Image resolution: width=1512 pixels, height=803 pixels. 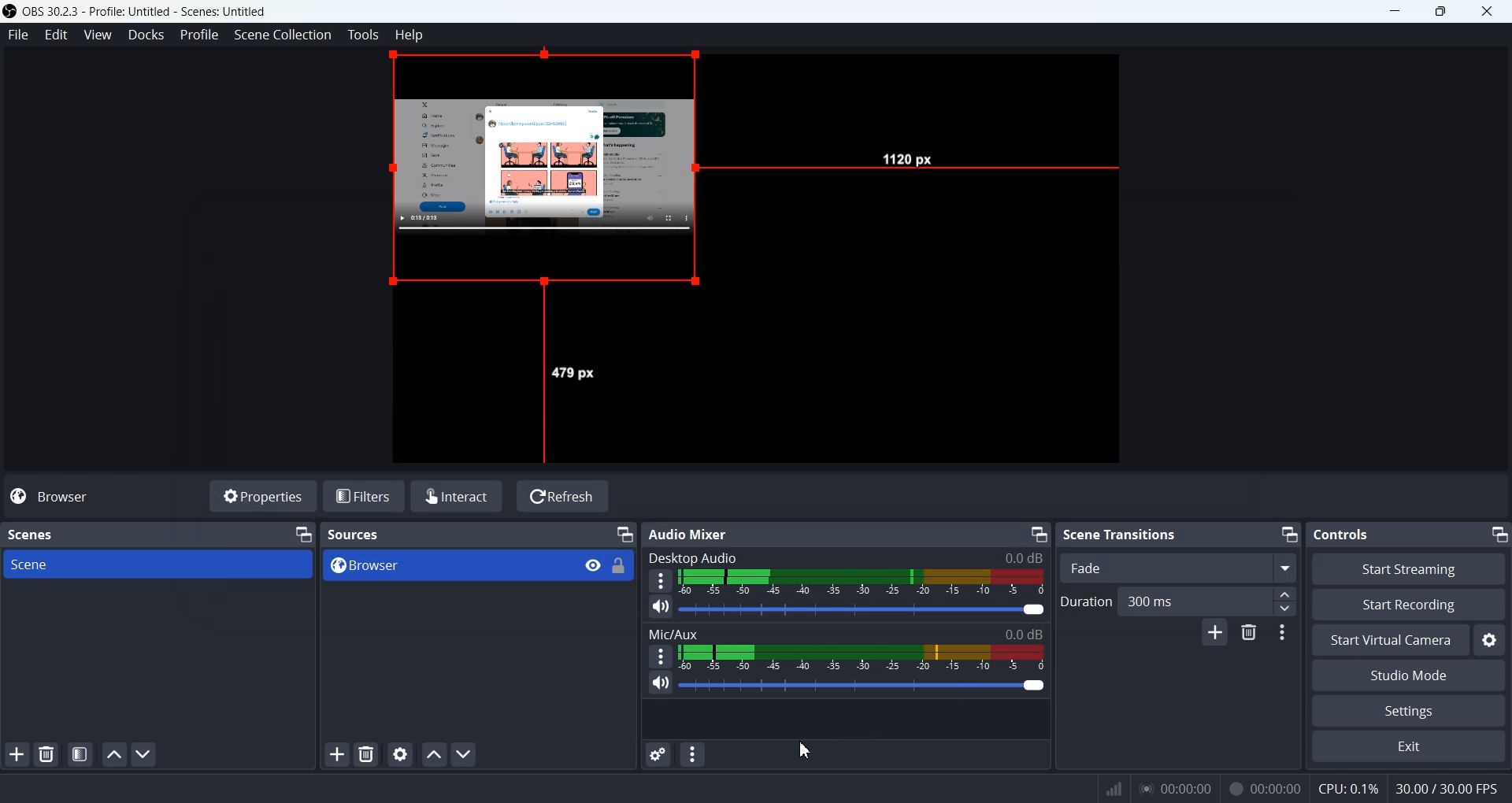 What do you see at coordinates (1348, 787) in the screenshot?
I see `CPU:0.1%` at bounding box center [1348, 787].